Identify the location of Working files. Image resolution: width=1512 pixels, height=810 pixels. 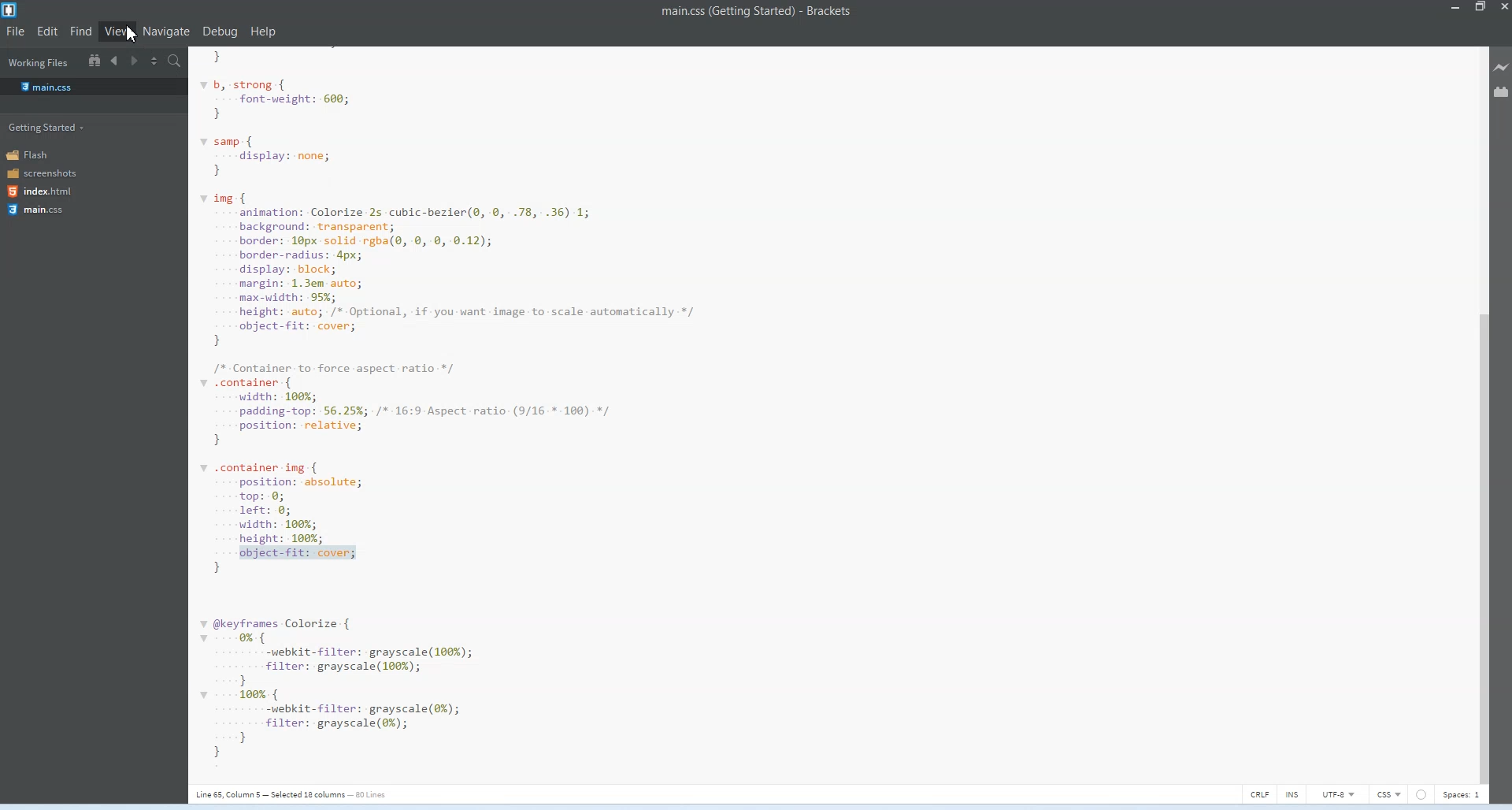
(39, 63).